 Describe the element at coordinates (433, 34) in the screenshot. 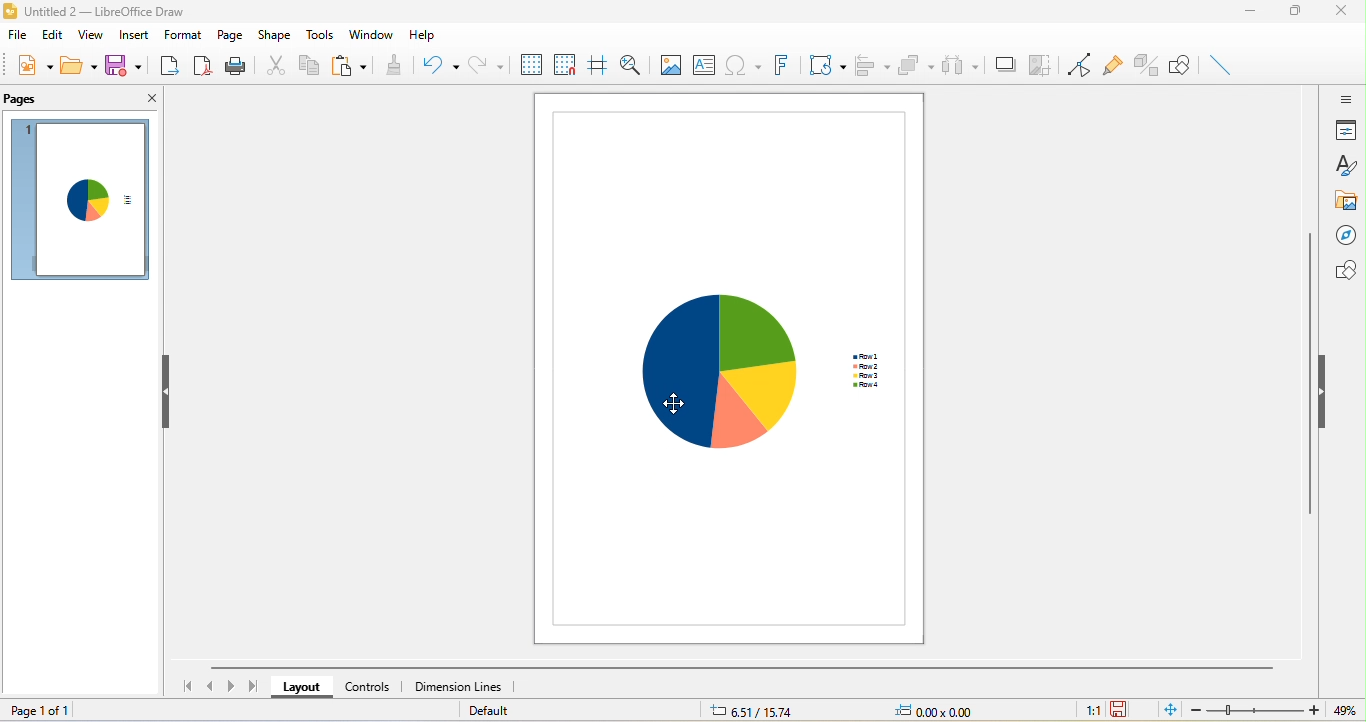

I see `help` at that location.